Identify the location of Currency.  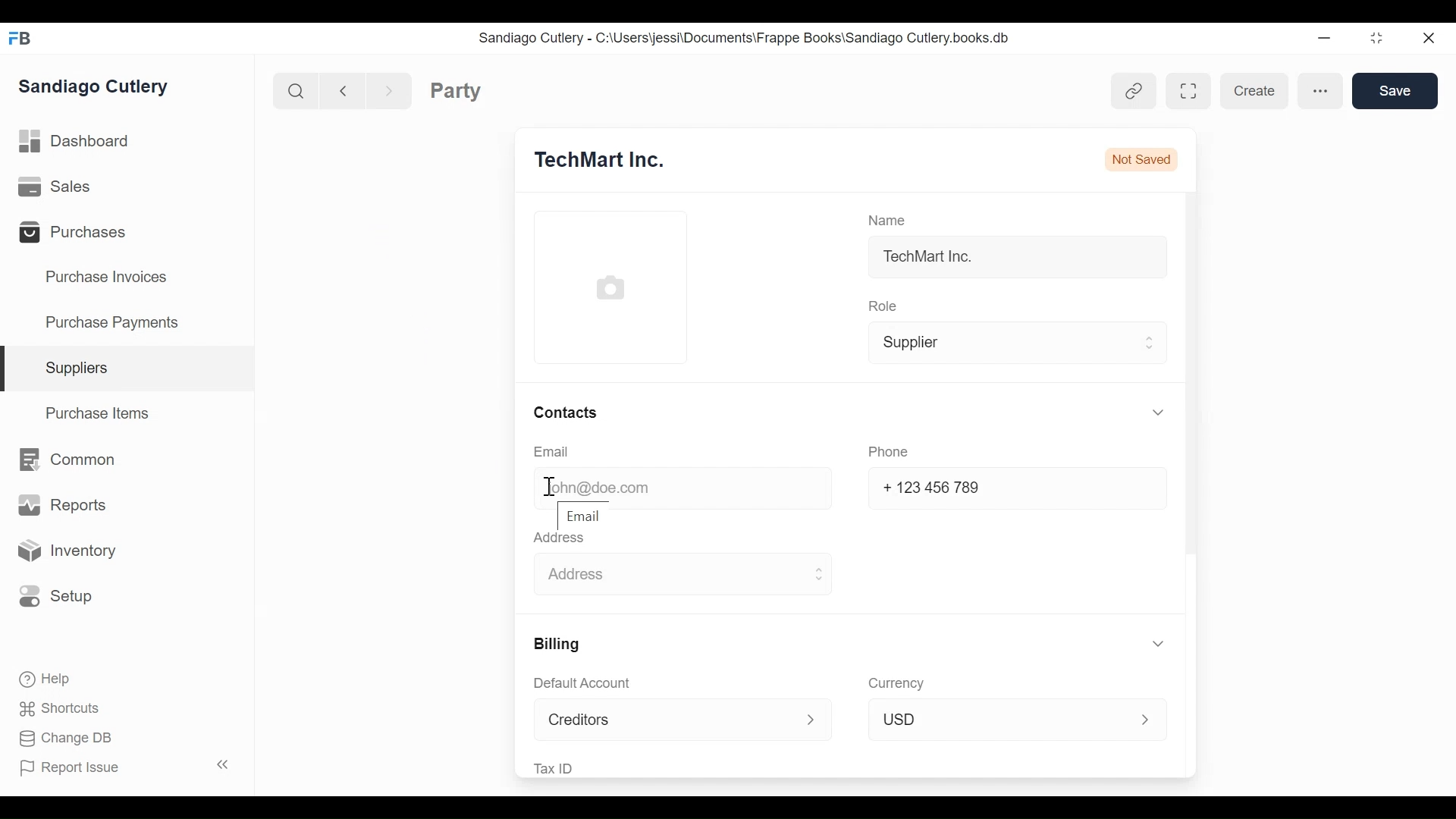
(896, 682).